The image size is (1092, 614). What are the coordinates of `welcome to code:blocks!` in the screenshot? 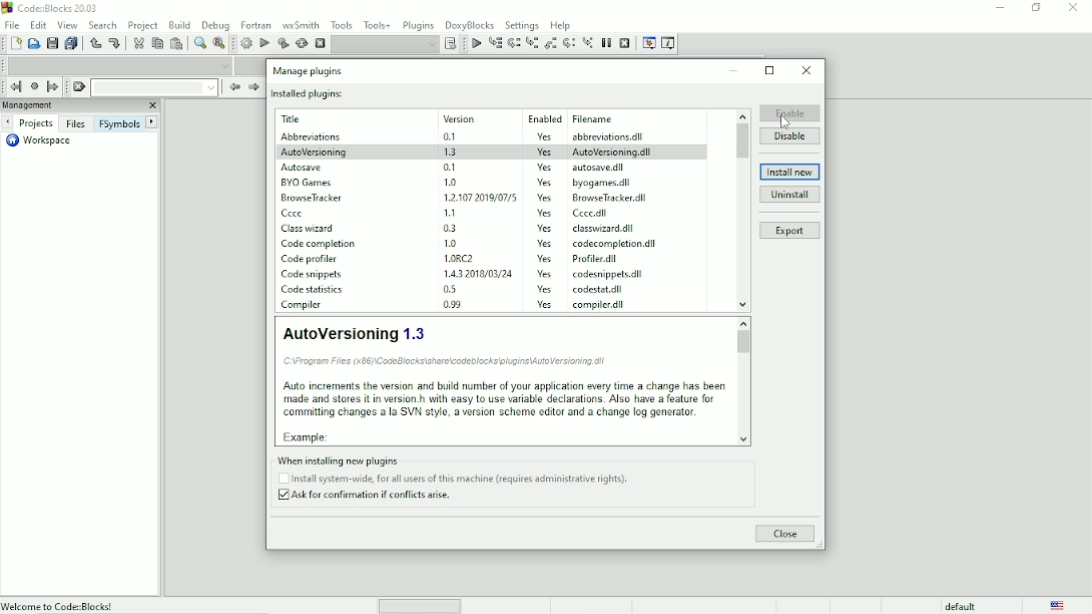 It's located at (111, 605).